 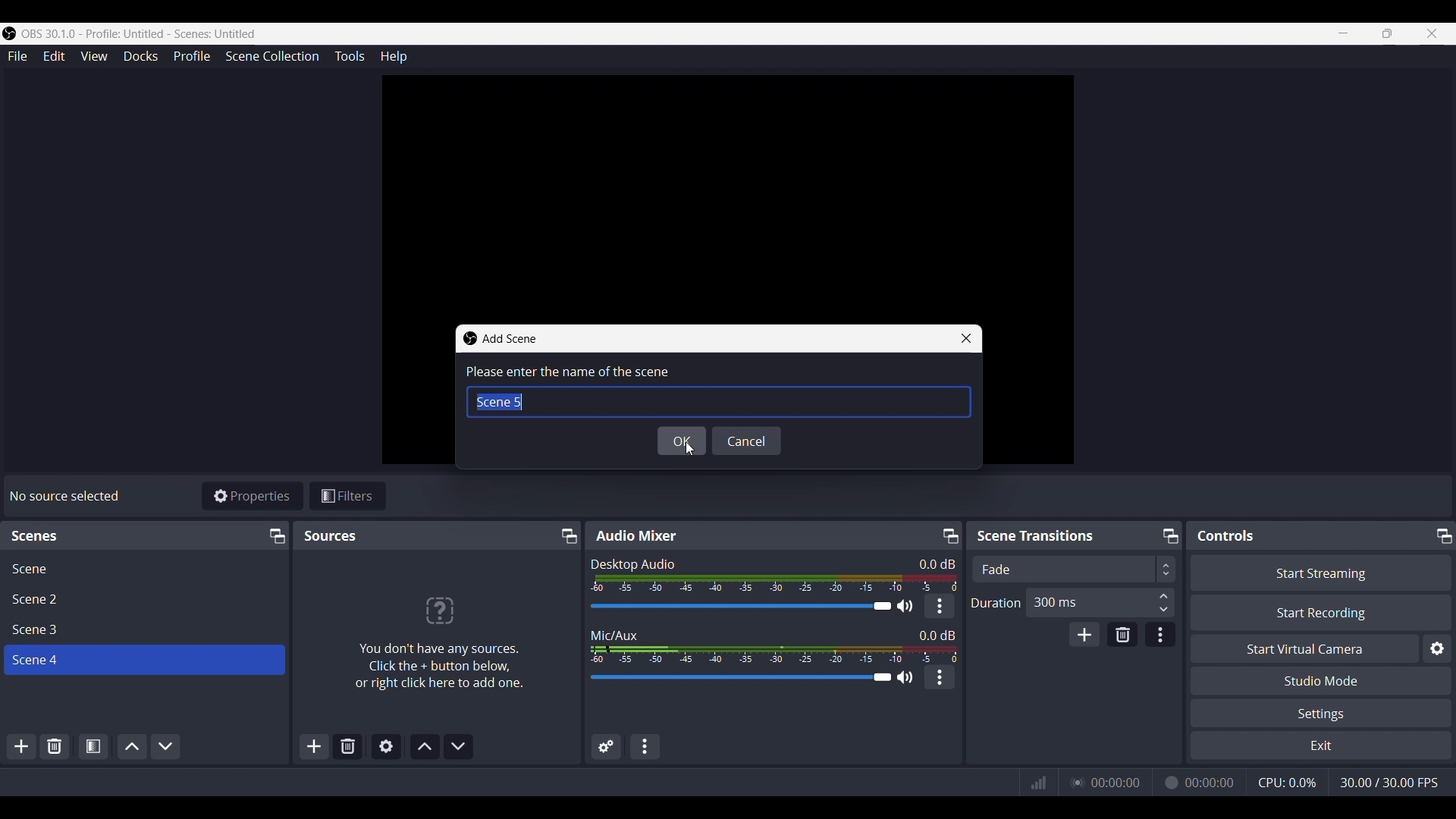 What do you see at coordinates (500, 402) in the screenshot?
I see `Scene` at bounding box center [500, 402].